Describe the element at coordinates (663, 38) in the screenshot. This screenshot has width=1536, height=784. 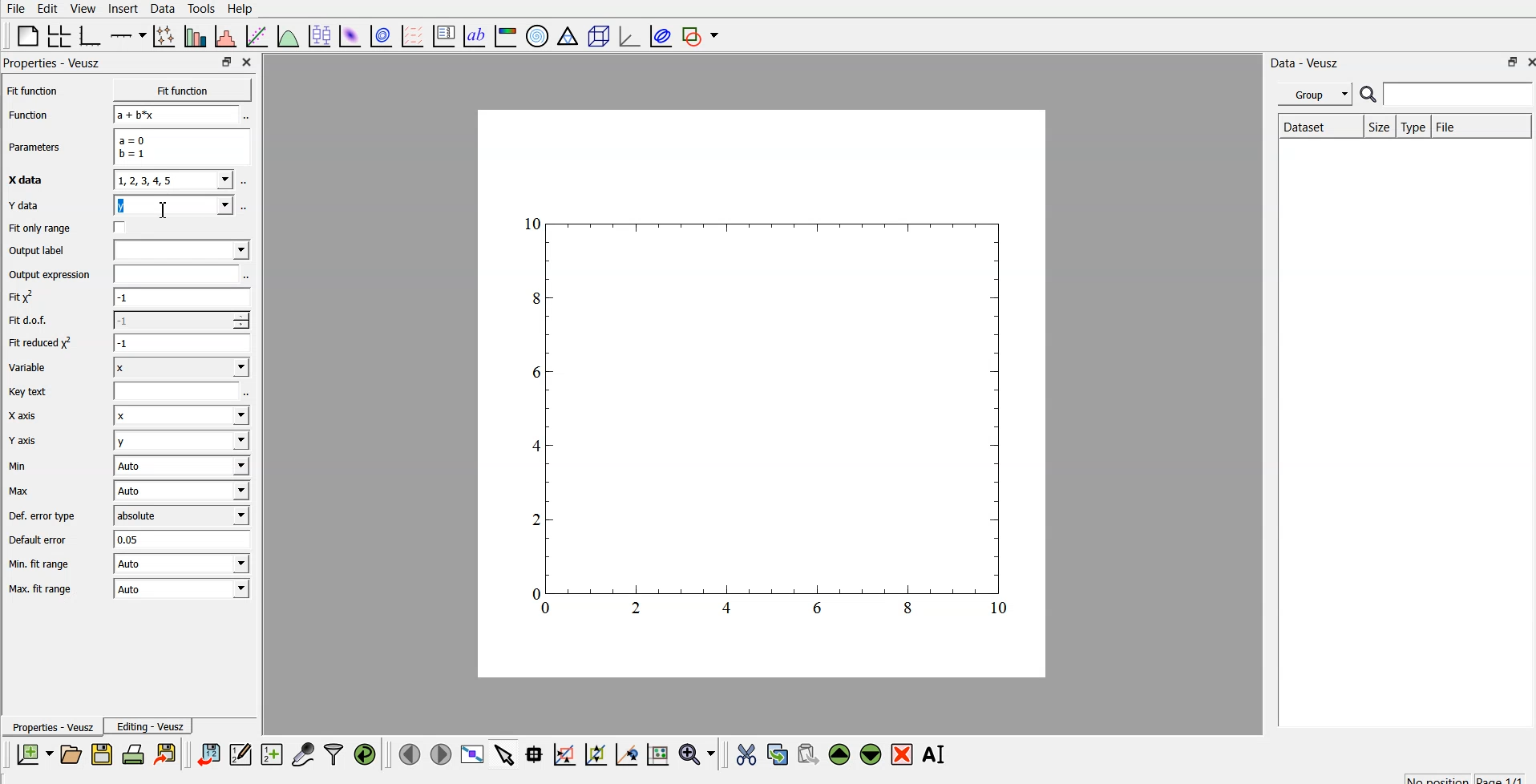
I see `plot covariance ellipse` at that location.